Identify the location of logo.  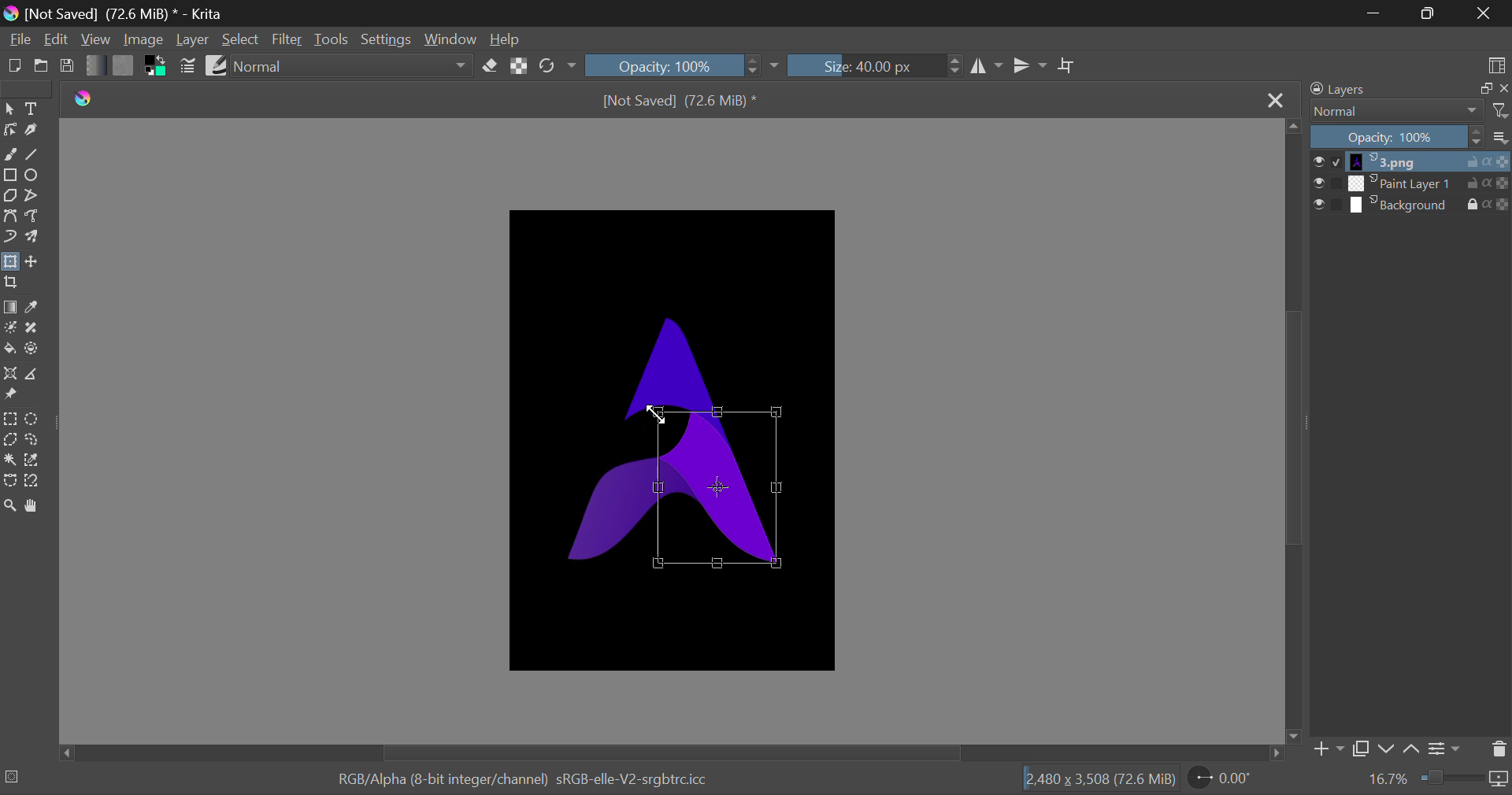
(87, 99).